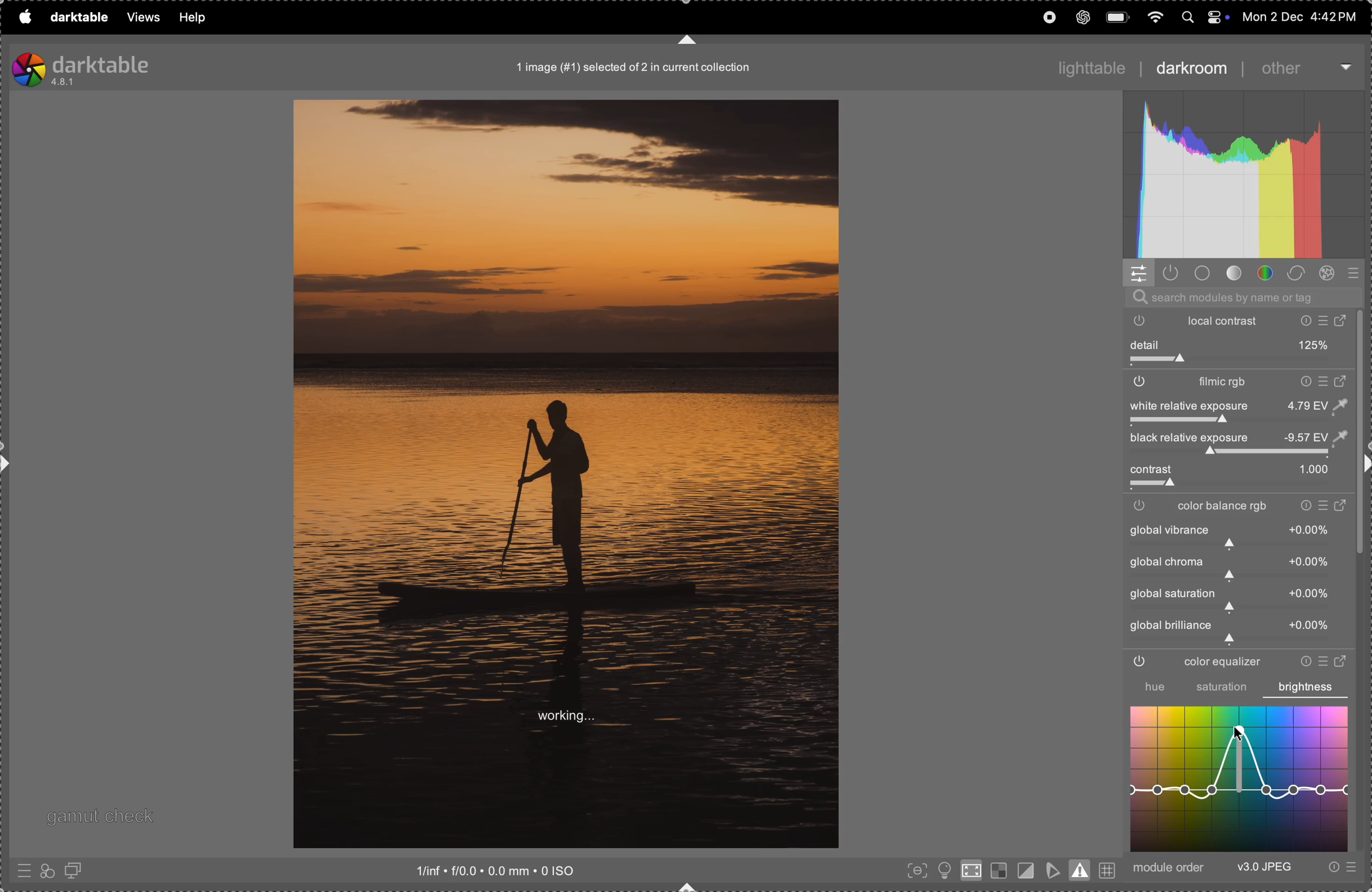  What do you see at coordinates (1148, 422) in the screenshot?
I see `toggle exposure` at bounding box center [1148, 422].